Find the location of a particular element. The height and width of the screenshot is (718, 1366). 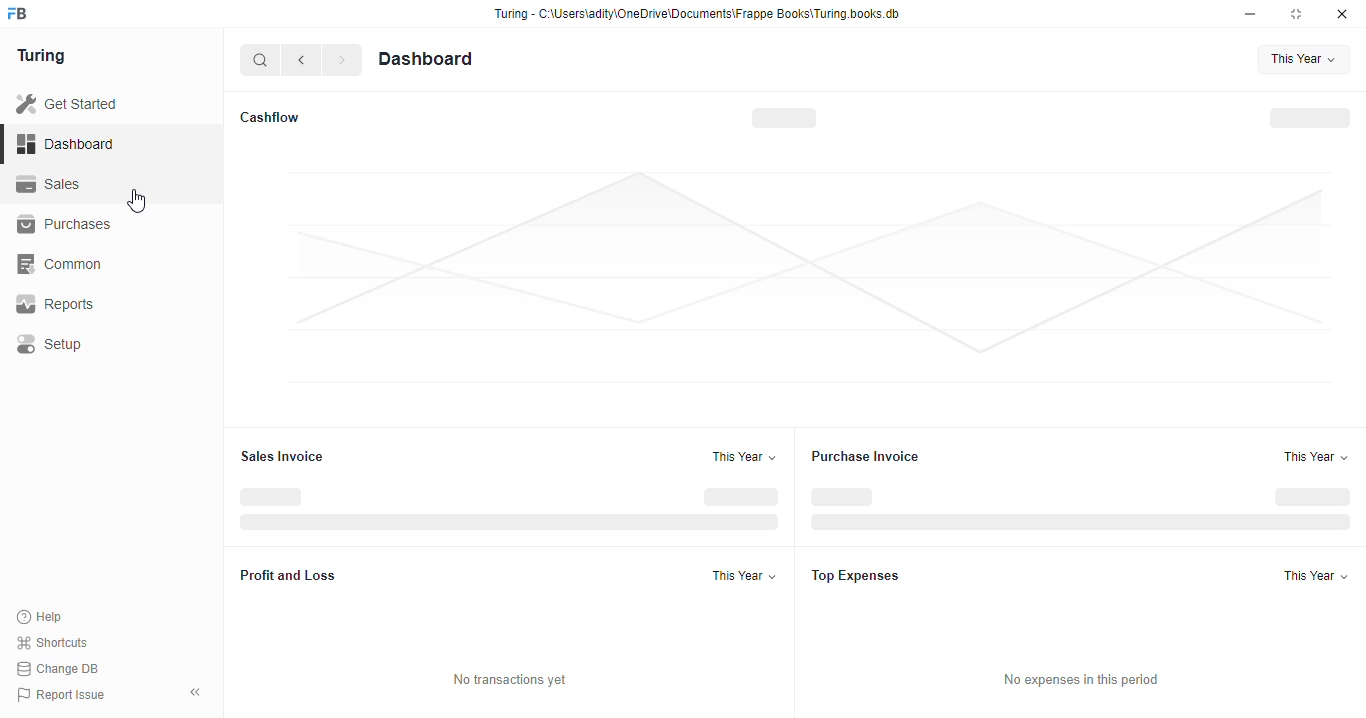

This Year + is located at coordinates (745, 575).